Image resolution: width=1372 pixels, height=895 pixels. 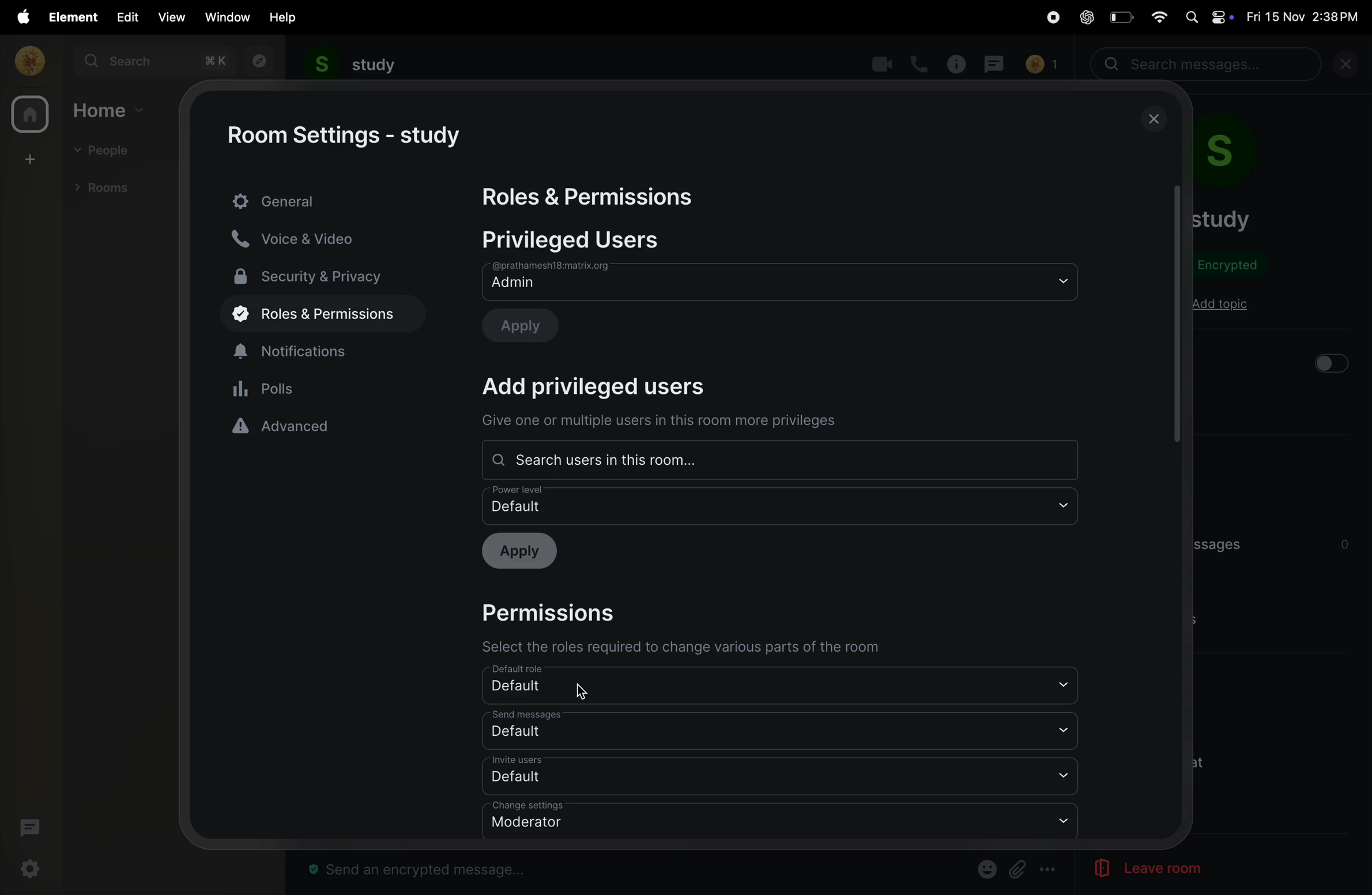 I want to click on Default, so click(x=782, y=505).